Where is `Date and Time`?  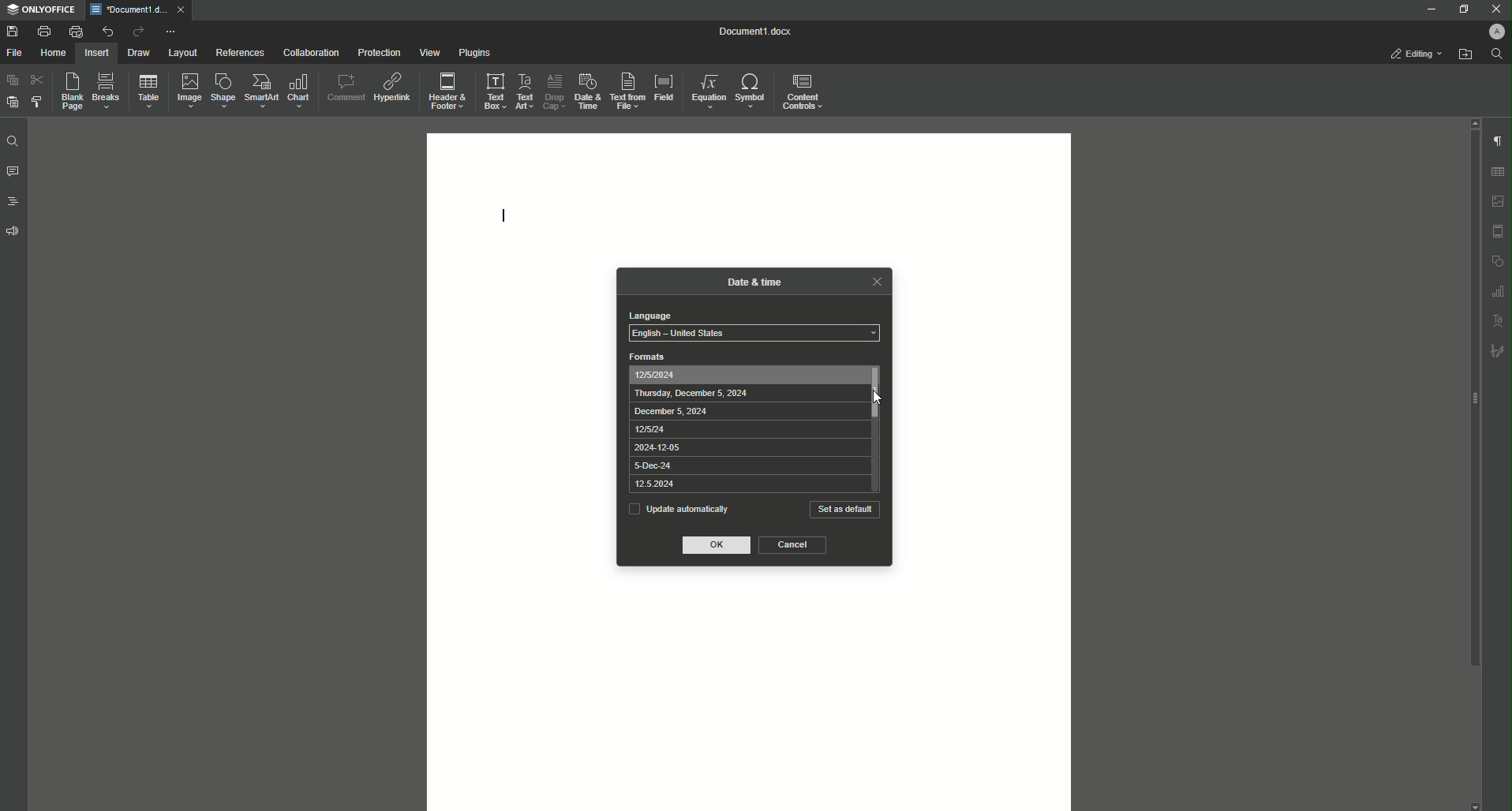
Date and Time is located at coordinates (586, 90).